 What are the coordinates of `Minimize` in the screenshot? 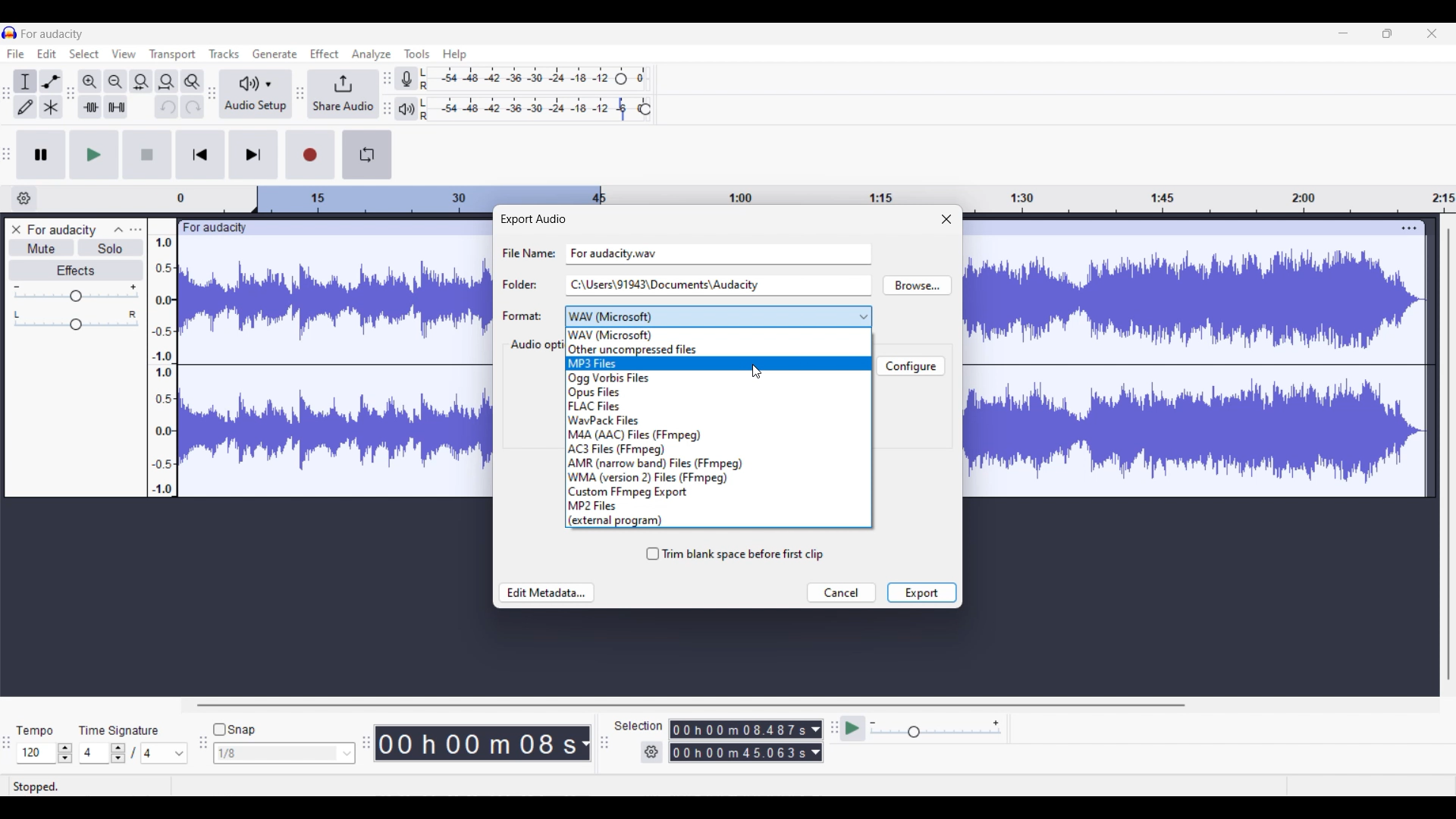 It's located at (1343, 33).